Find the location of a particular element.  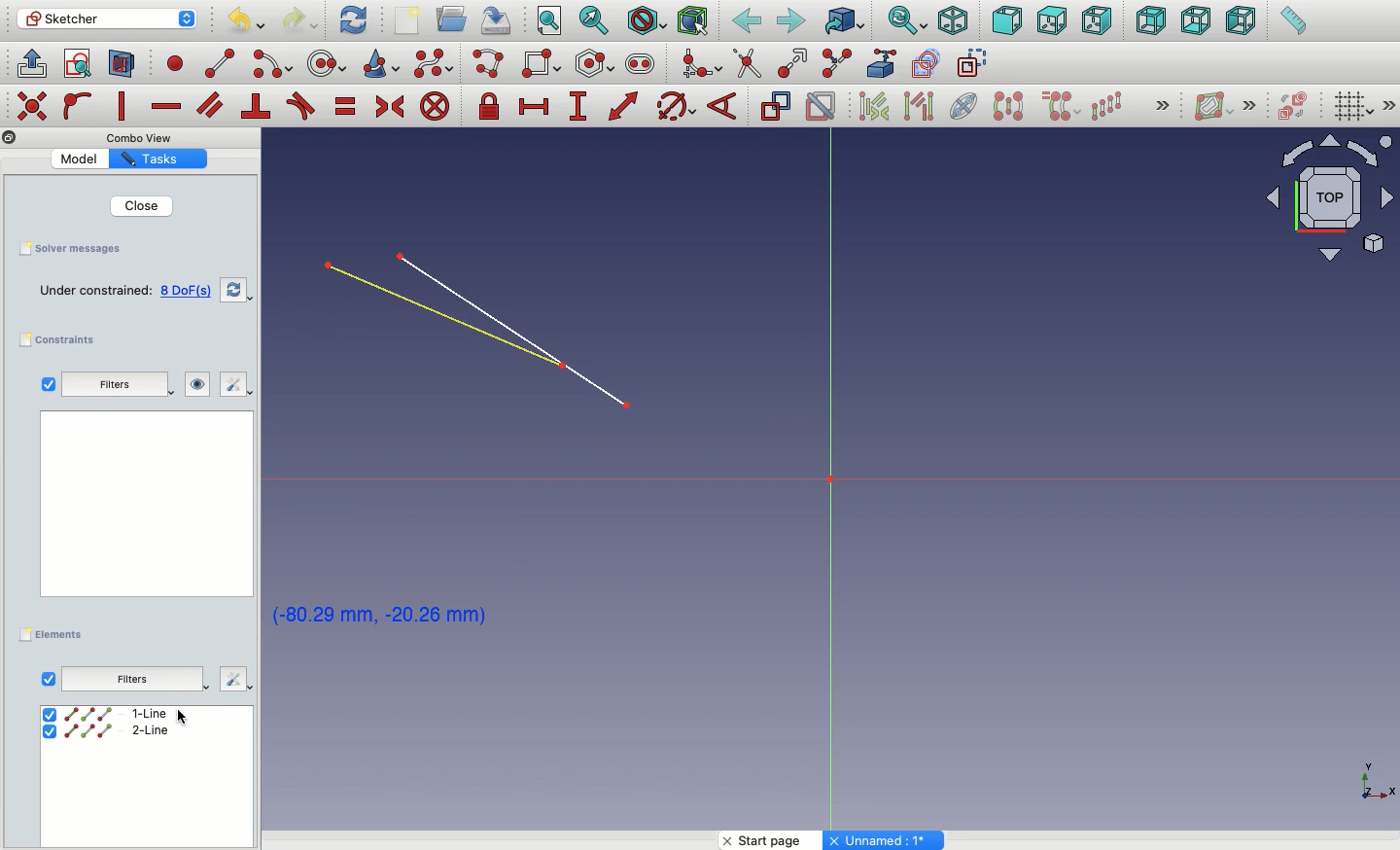

Click is located at coordinates (379, 620).